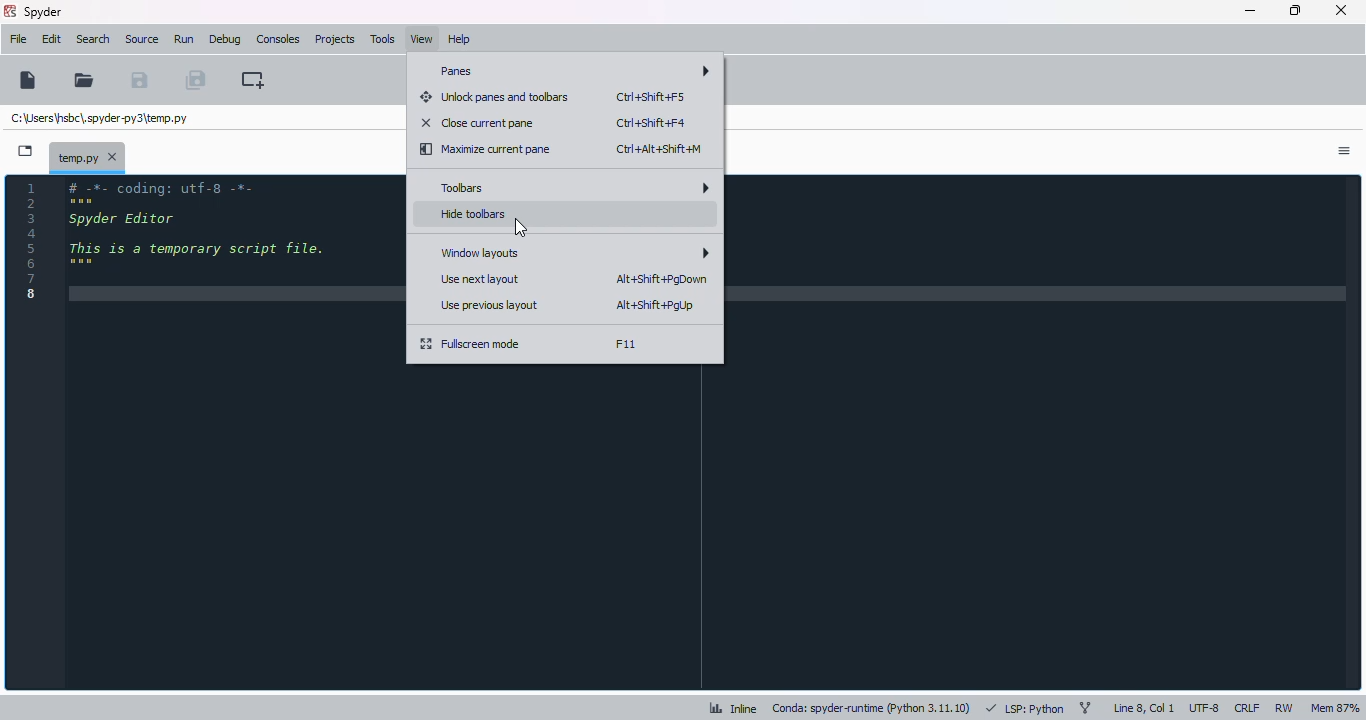 The width and height of the screenshot is (1366, 720). Describe the element at coordinates (487, 148) in the screenshot. I see `maximize current pane` at that location.